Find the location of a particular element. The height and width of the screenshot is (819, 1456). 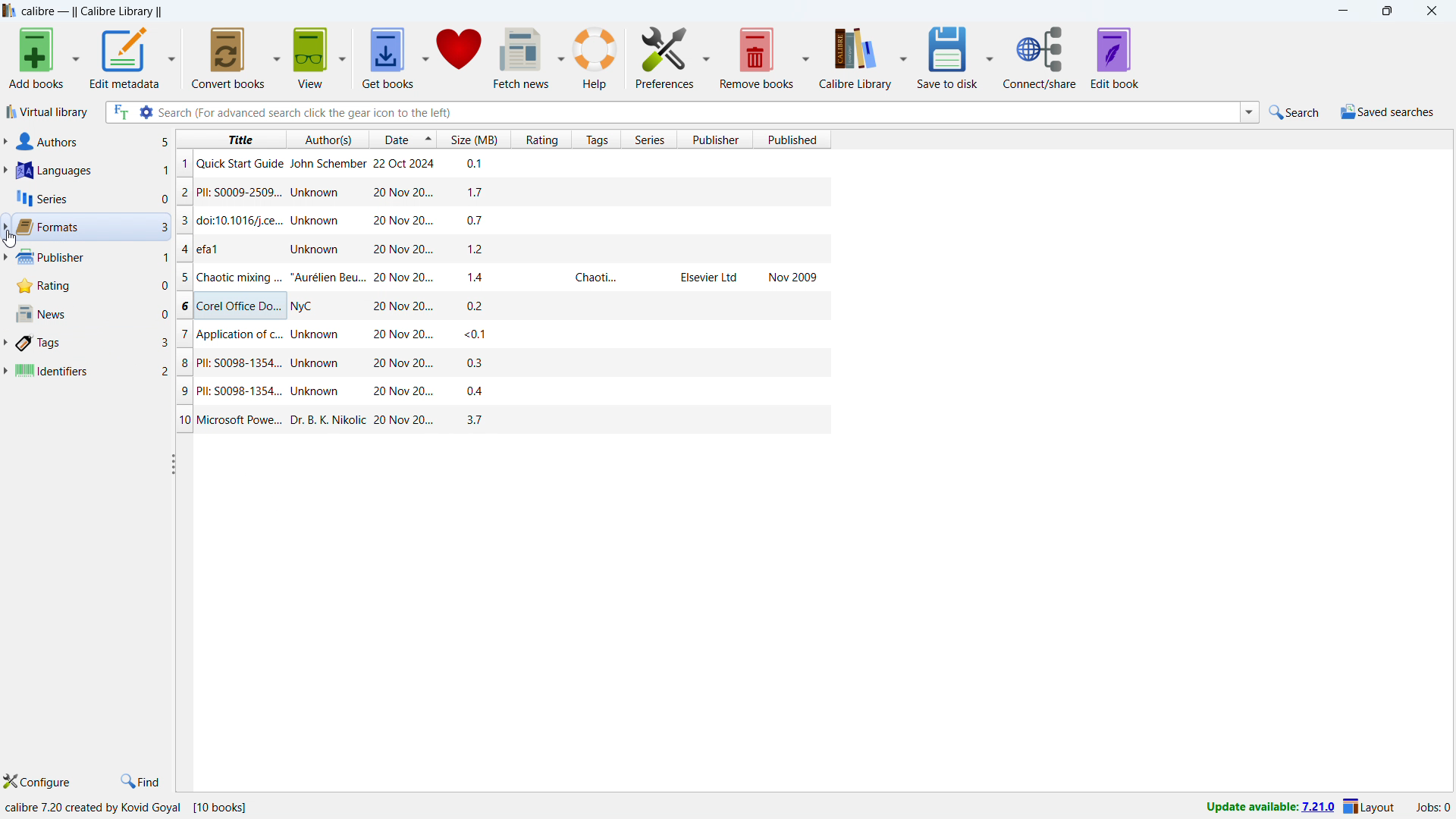

edit book is located at coordinates (1115, 58).